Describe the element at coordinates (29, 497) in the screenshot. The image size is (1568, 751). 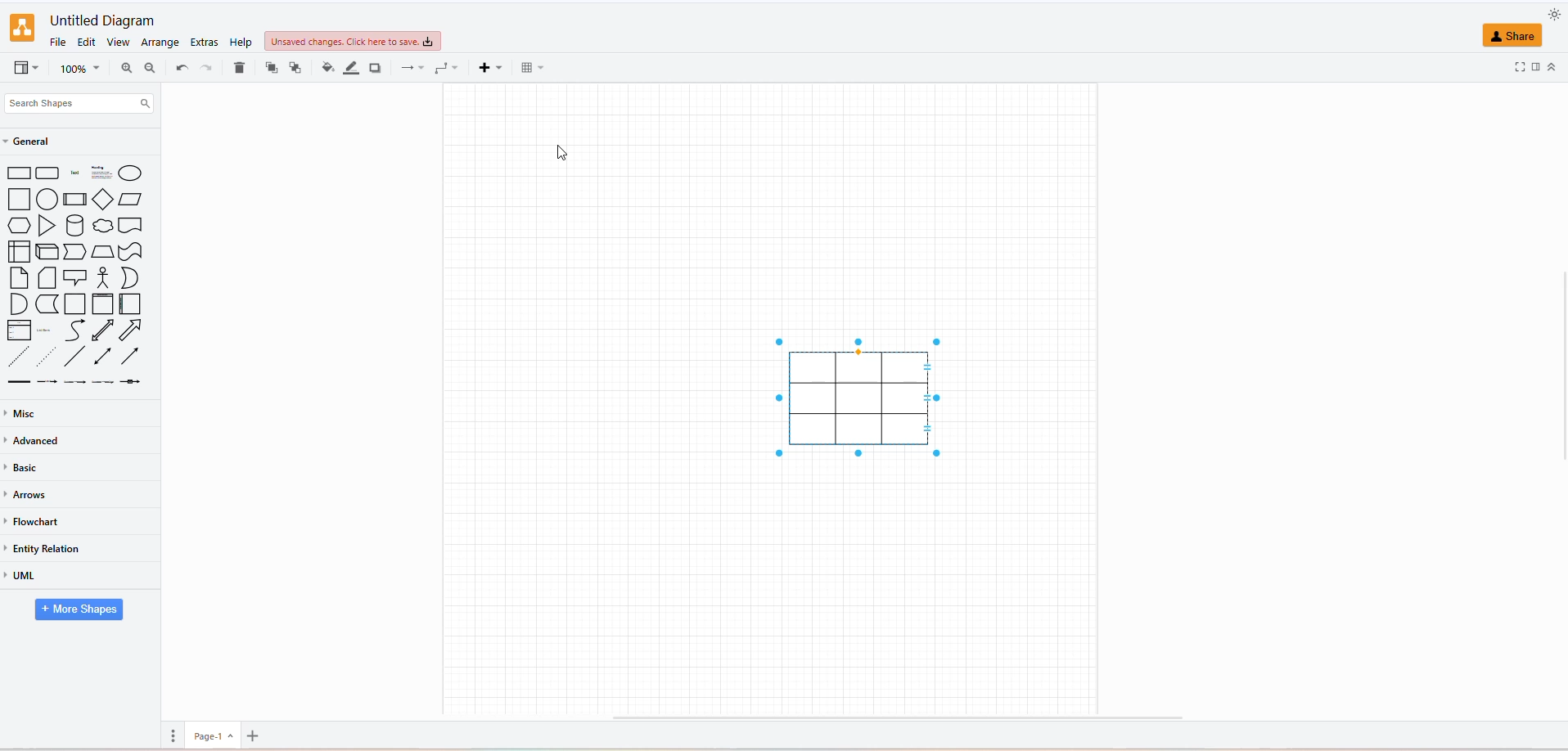
I see `arrows` at that location.